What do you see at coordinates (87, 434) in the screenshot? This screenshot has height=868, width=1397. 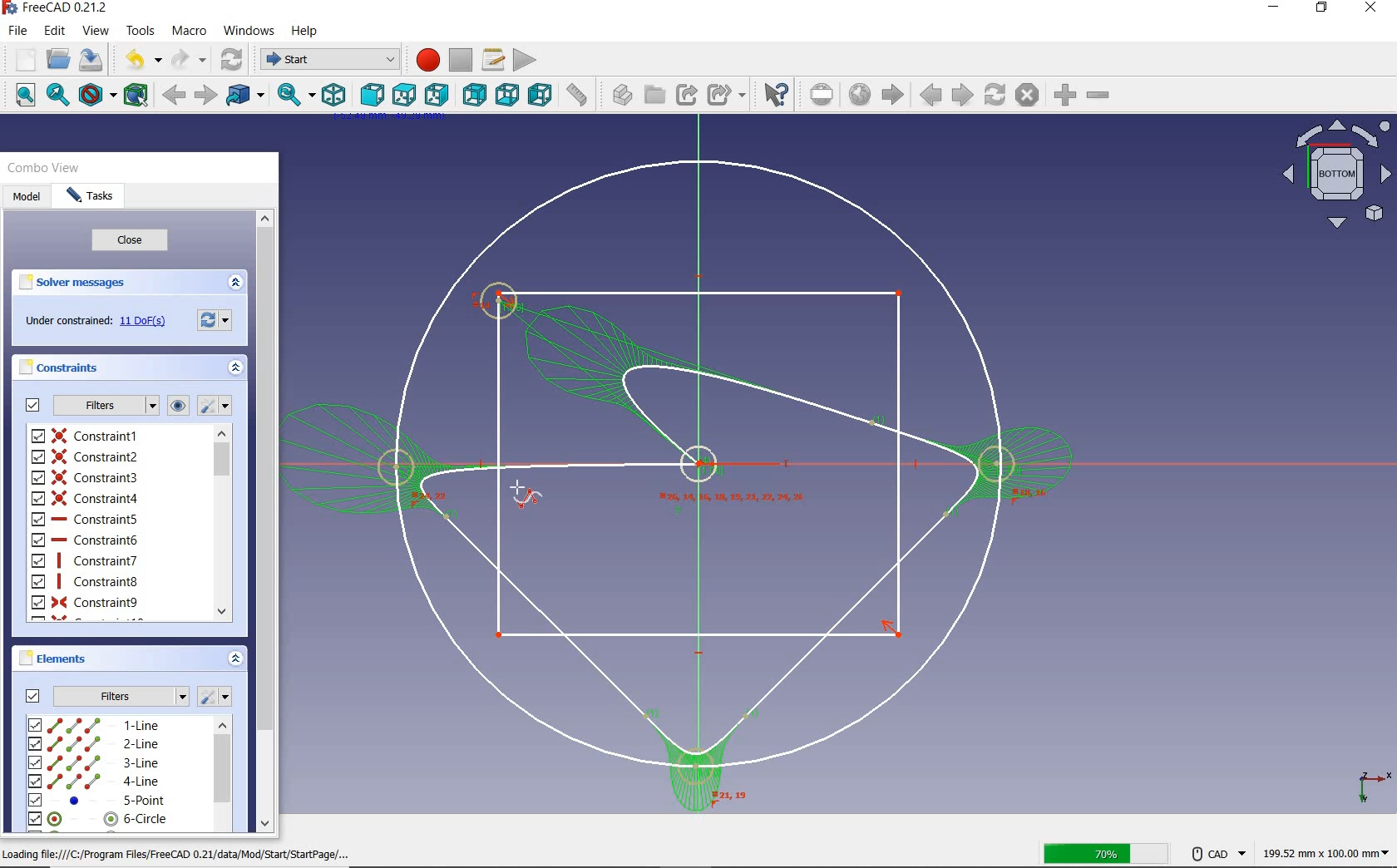 I see `constraint1` at bounding box center [87, 434].